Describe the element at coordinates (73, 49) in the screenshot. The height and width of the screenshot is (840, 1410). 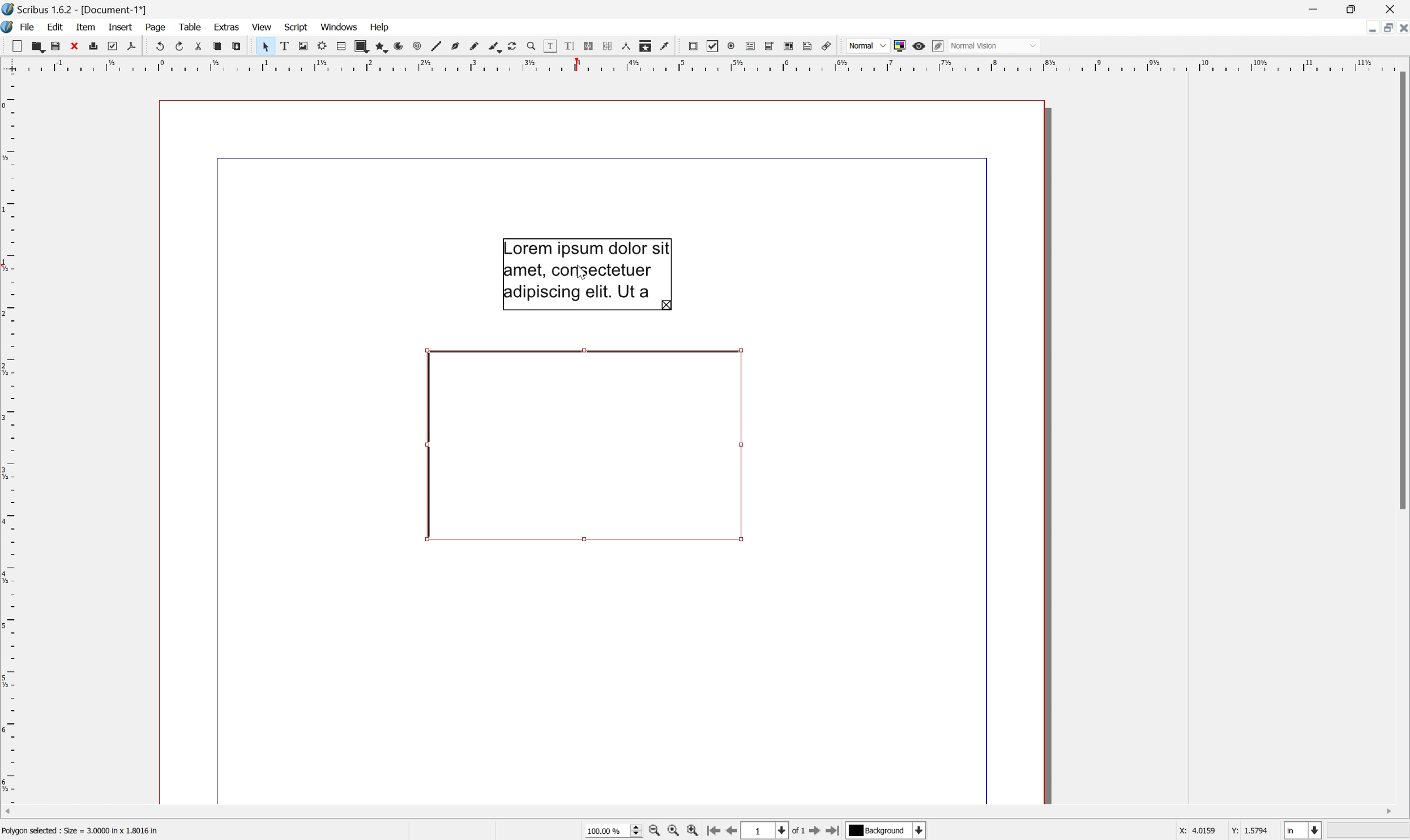
I see `Close` at that location.